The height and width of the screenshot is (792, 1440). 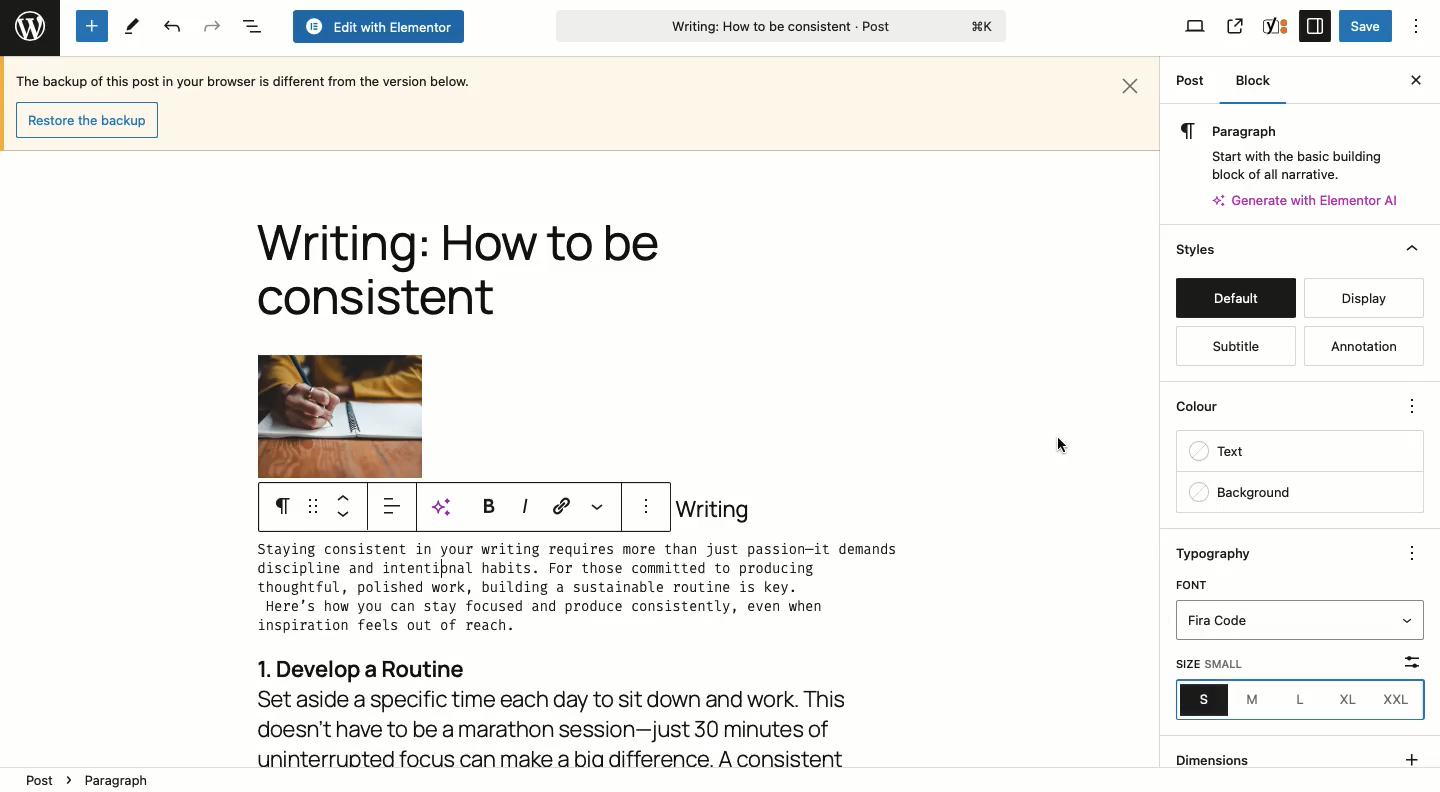 What do you see at coordinates (1235, 347) in the screenshot?
I see `Subtitle` at bounding box center [1235, 347].